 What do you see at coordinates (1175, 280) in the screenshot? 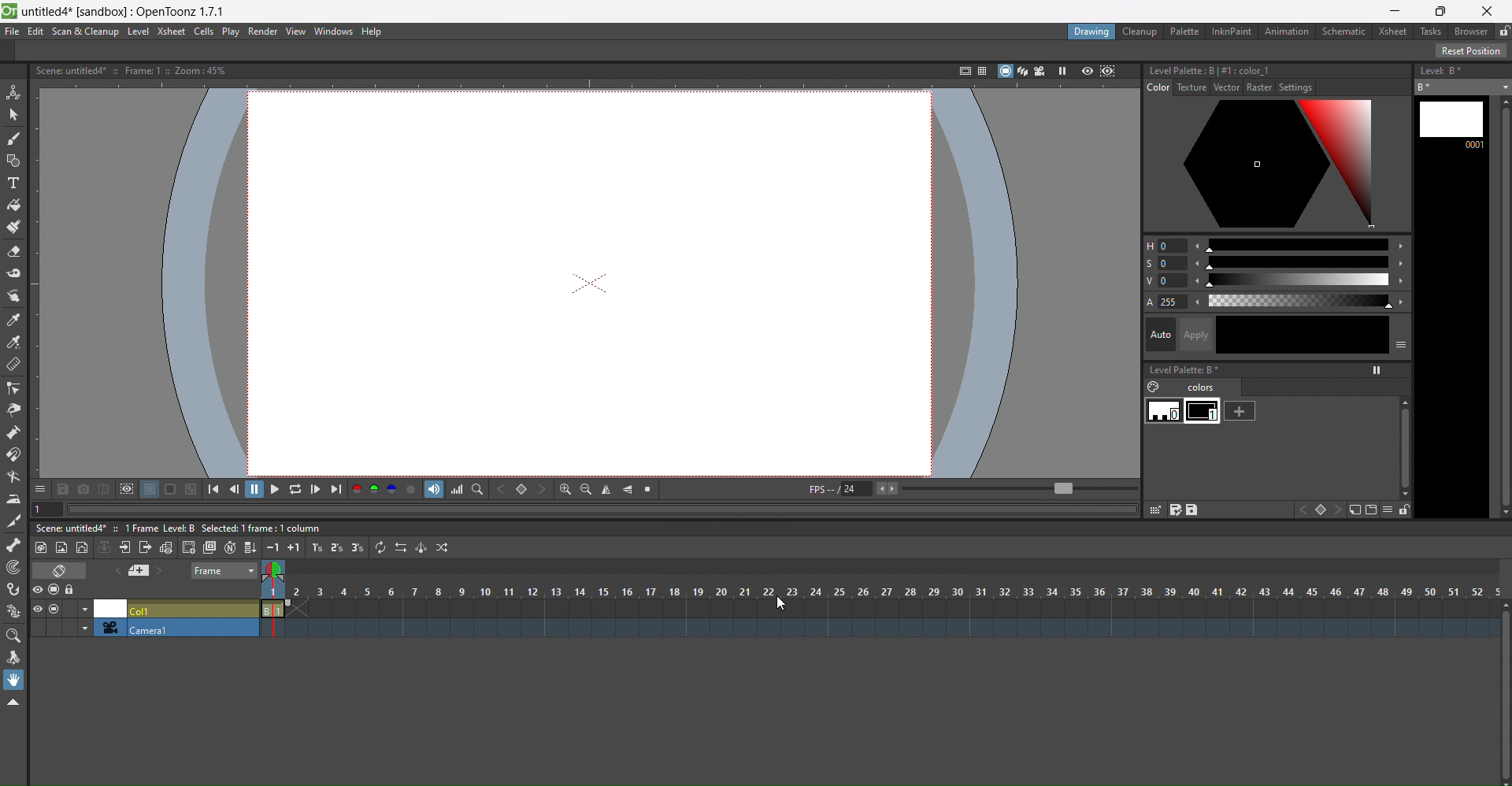
I see `0` at bounding box center [1175, 280].